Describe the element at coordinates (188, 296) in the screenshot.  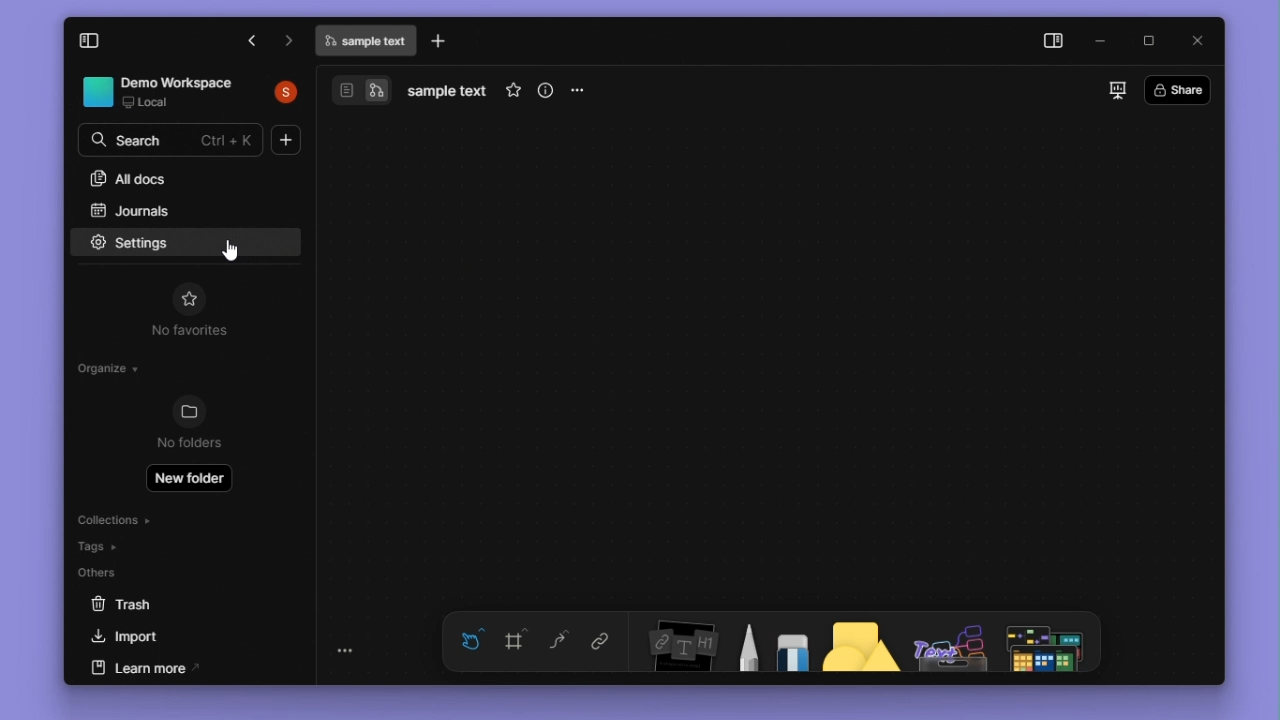
I see `favourites` at that location.